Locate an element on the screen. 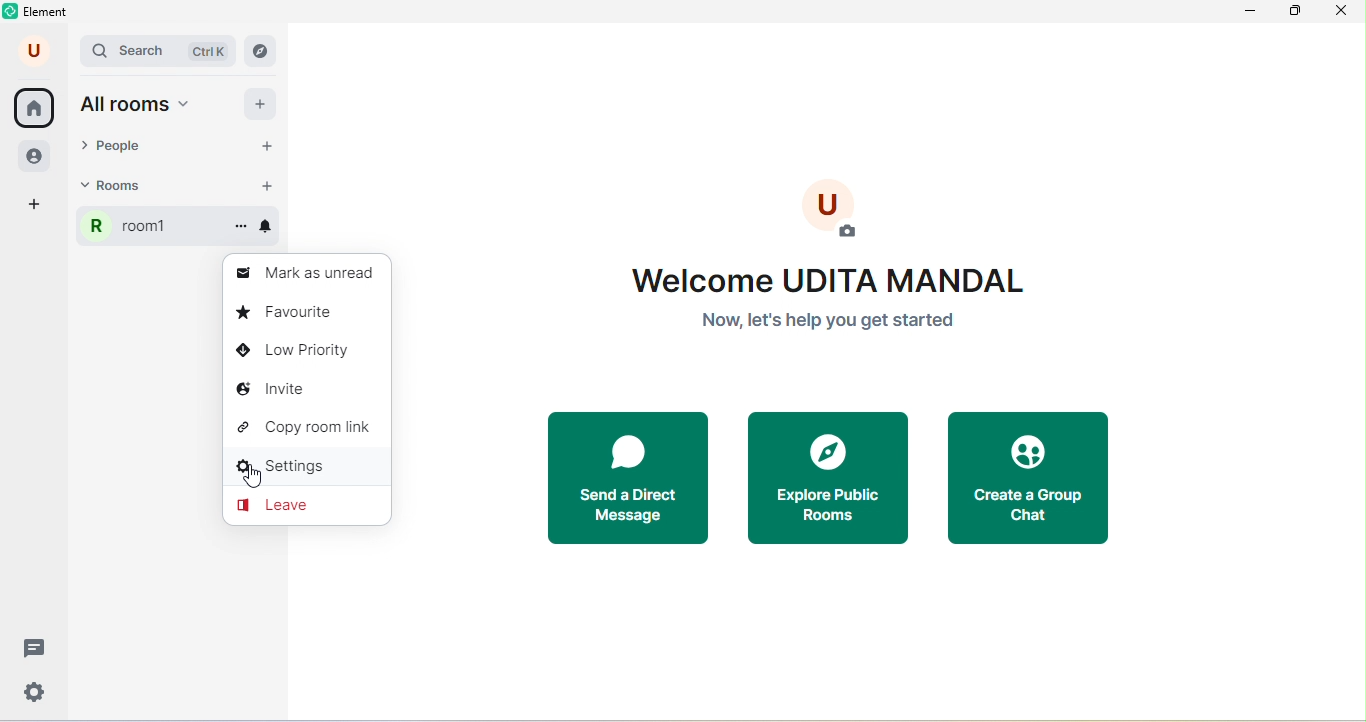 The width and height of the screenshot is (1366, 722). mark as unread is located at coordinates (306, 273).